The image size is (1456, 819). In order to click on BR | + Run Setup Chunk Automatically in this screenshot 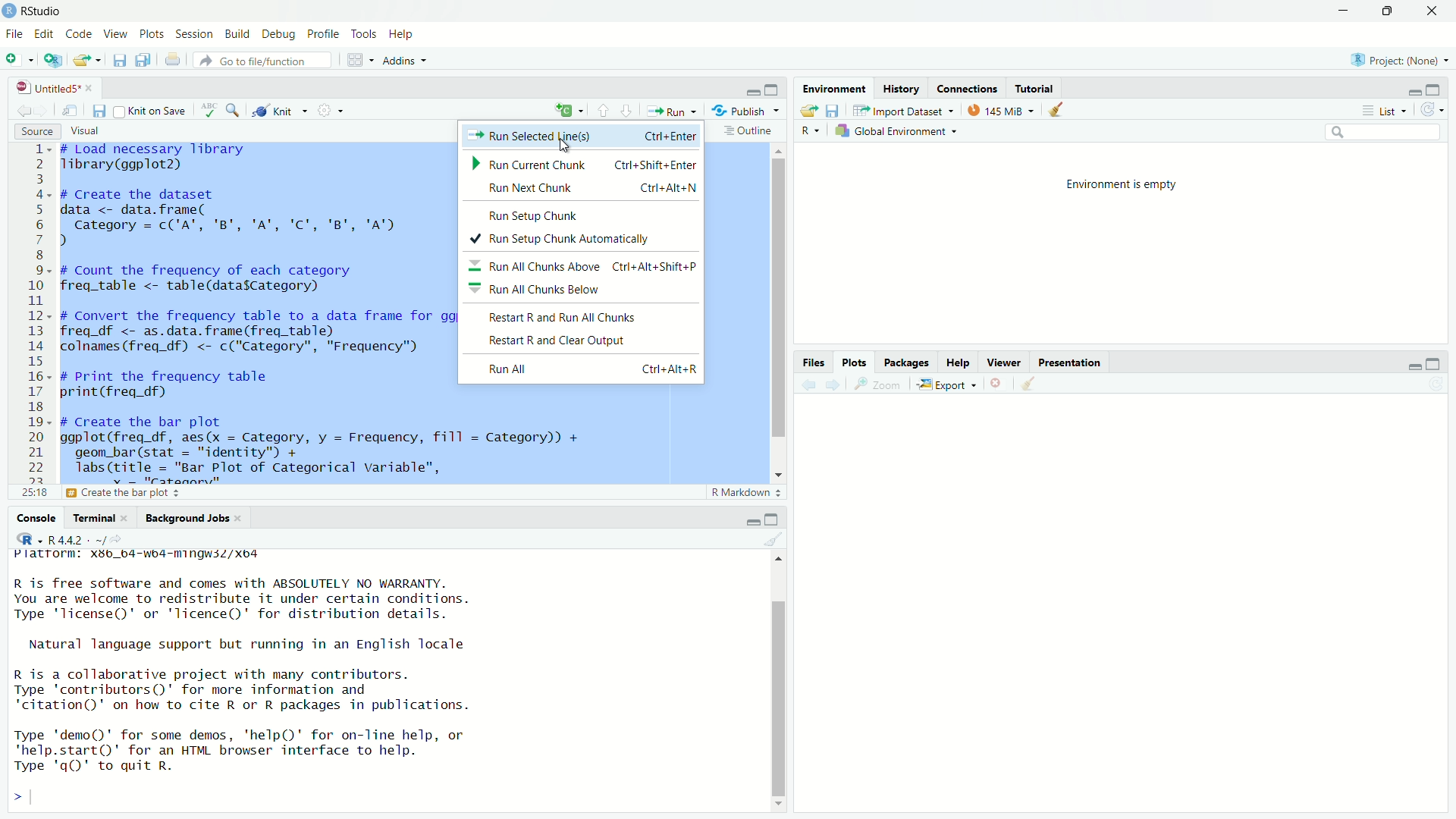, I will do `click(567, 241)`.